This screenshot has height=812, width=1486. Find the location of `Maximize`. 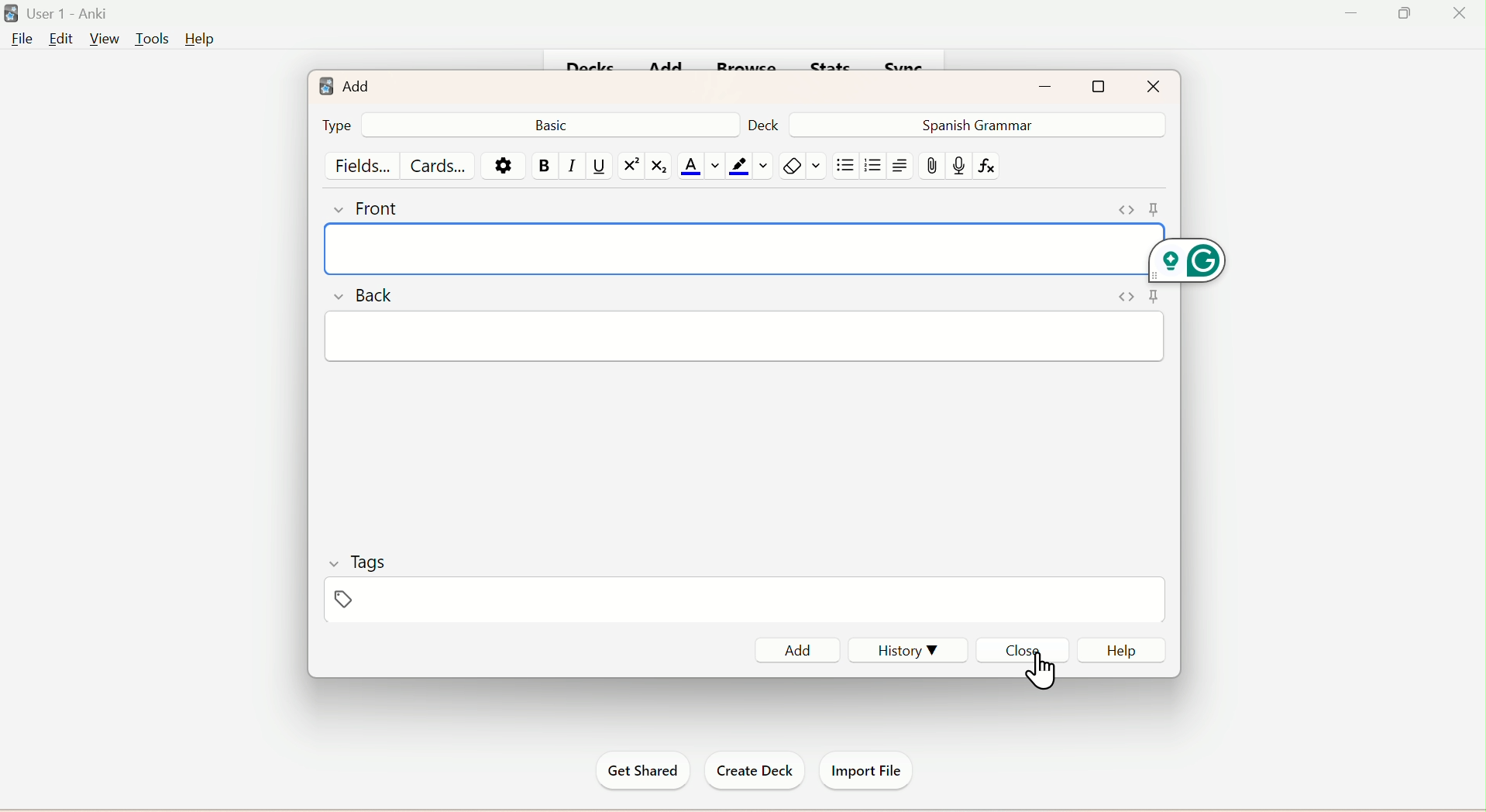

Maximize is located at coordinates (1100, 86).